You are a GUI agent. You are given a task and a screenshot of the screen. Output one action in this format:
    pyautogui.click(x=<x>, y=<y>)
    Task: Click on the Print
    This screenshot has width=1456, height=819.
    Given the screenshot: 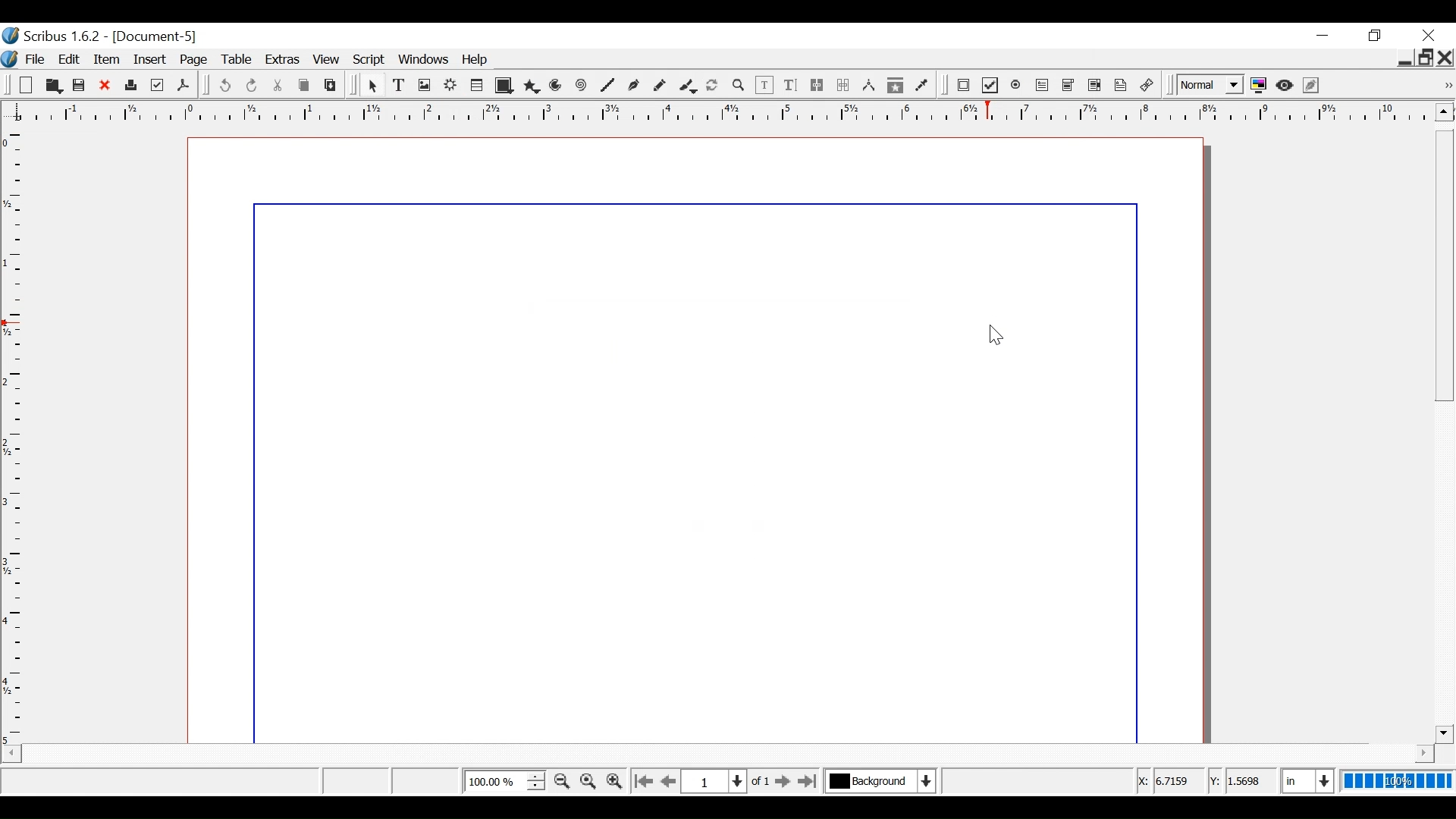 What is the action you would take?
    pyautogui.click(x=130, y=86)
    